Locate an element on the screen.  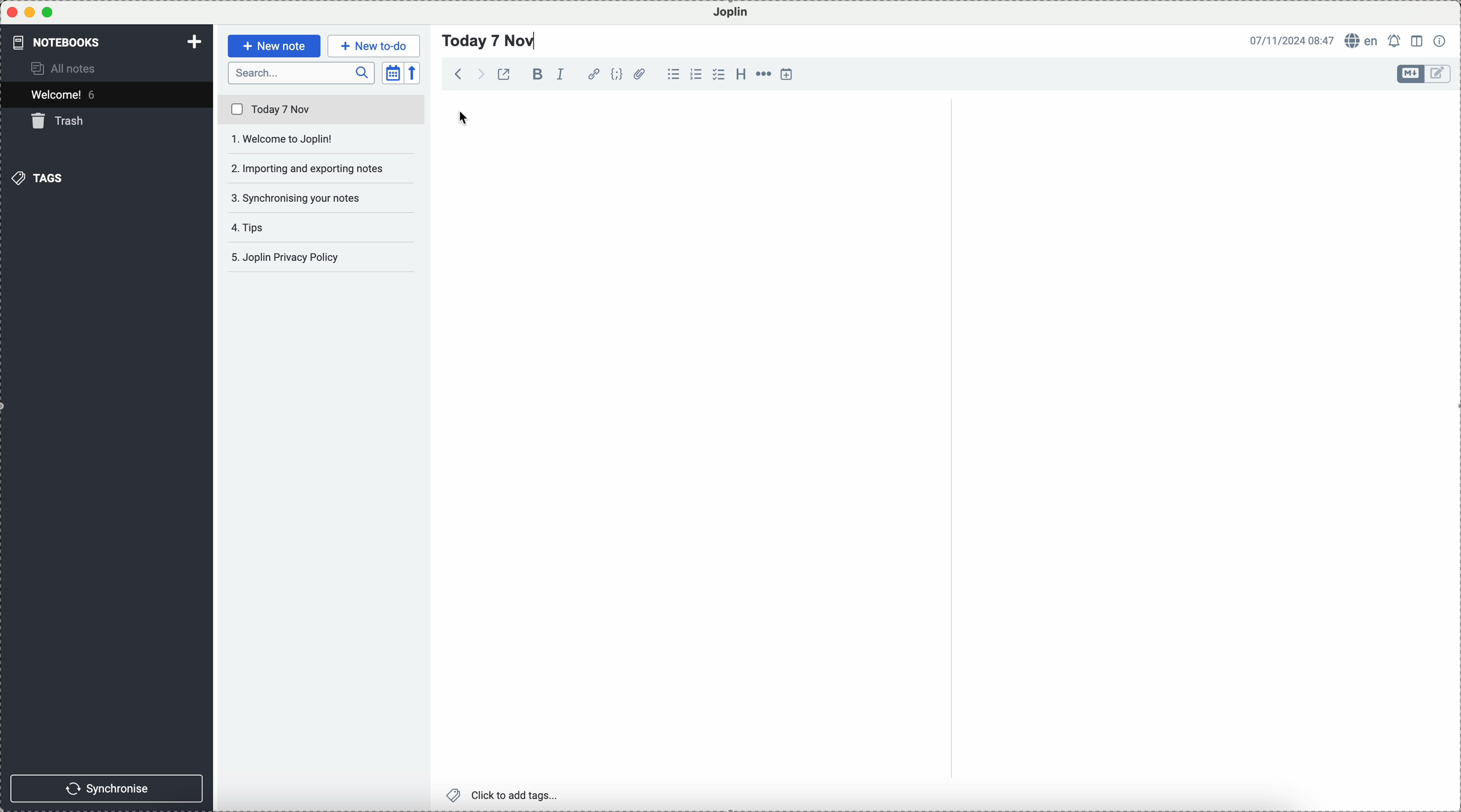
new to-do button is located at coordinates (374, 46).